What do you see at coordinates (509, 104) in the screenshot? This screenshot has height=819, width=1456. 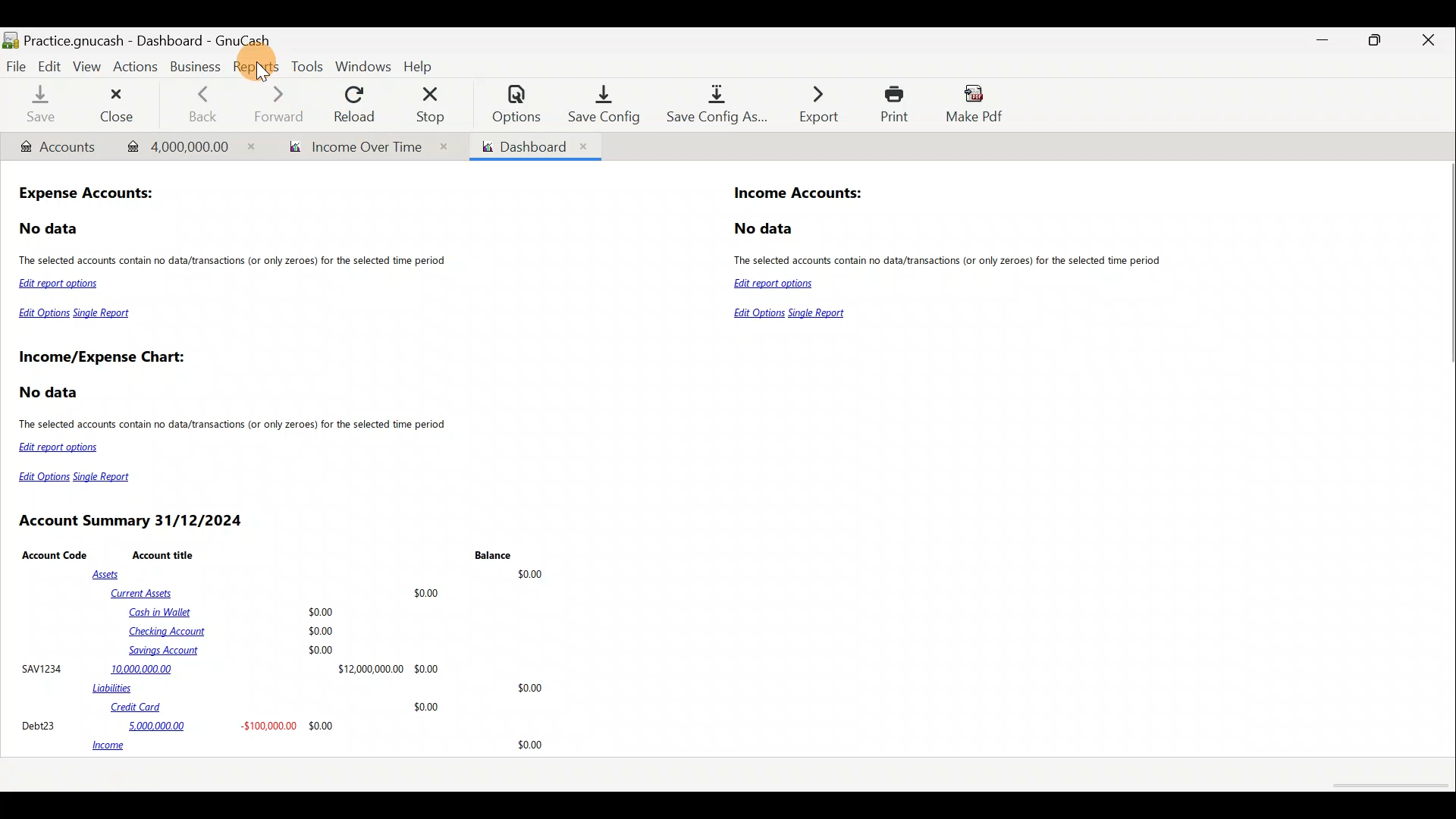 I see `Options` at bounding box center [509, 104].